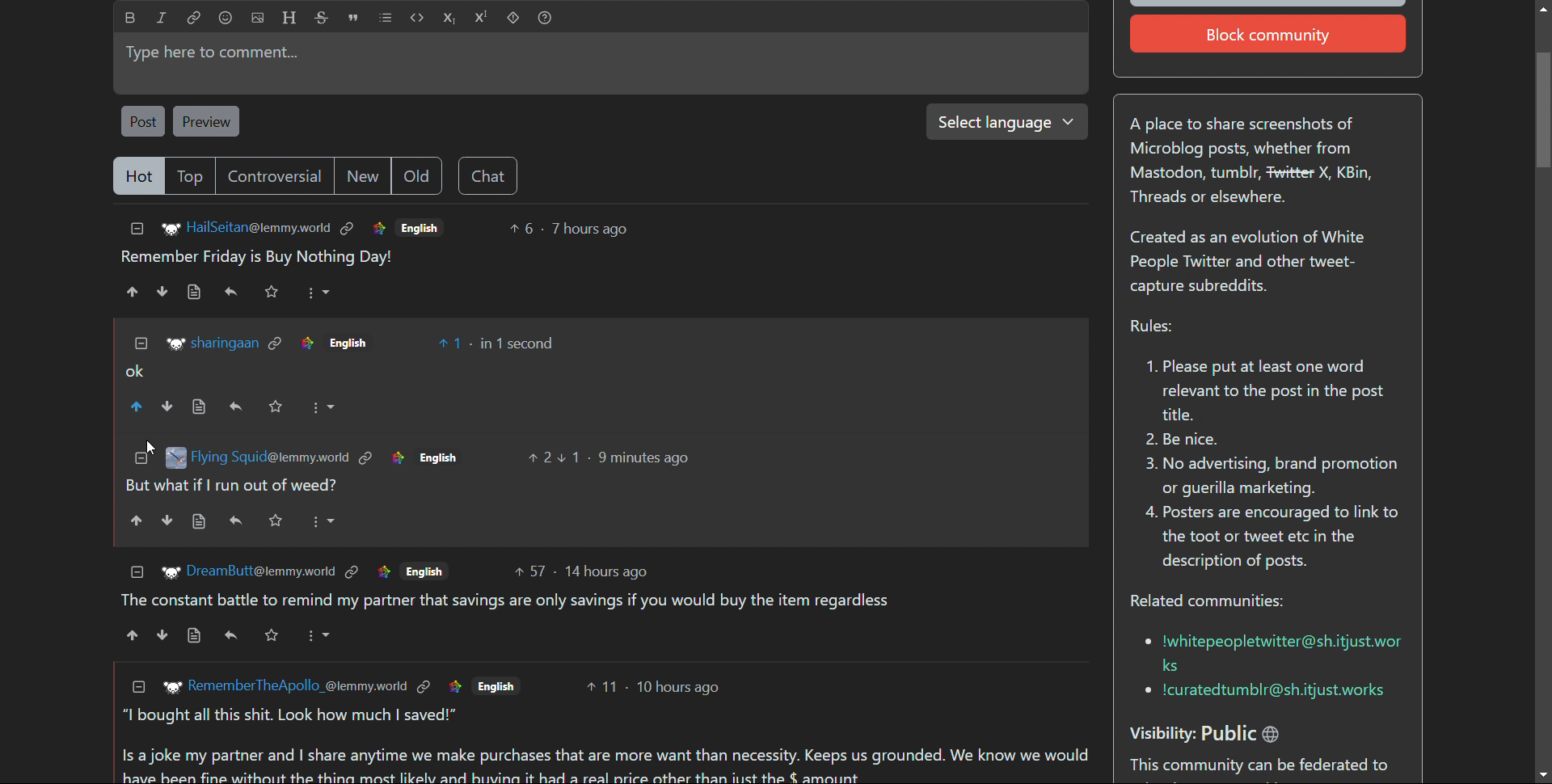 The width and height of the screenshot is (1552, 784). What do you see at coordinates (1256, 263) in the screenshot?
I see `Created as an evolution of White
People Twitter and other tweet-
capture subreddits.` at bounding box center [1256, 263].